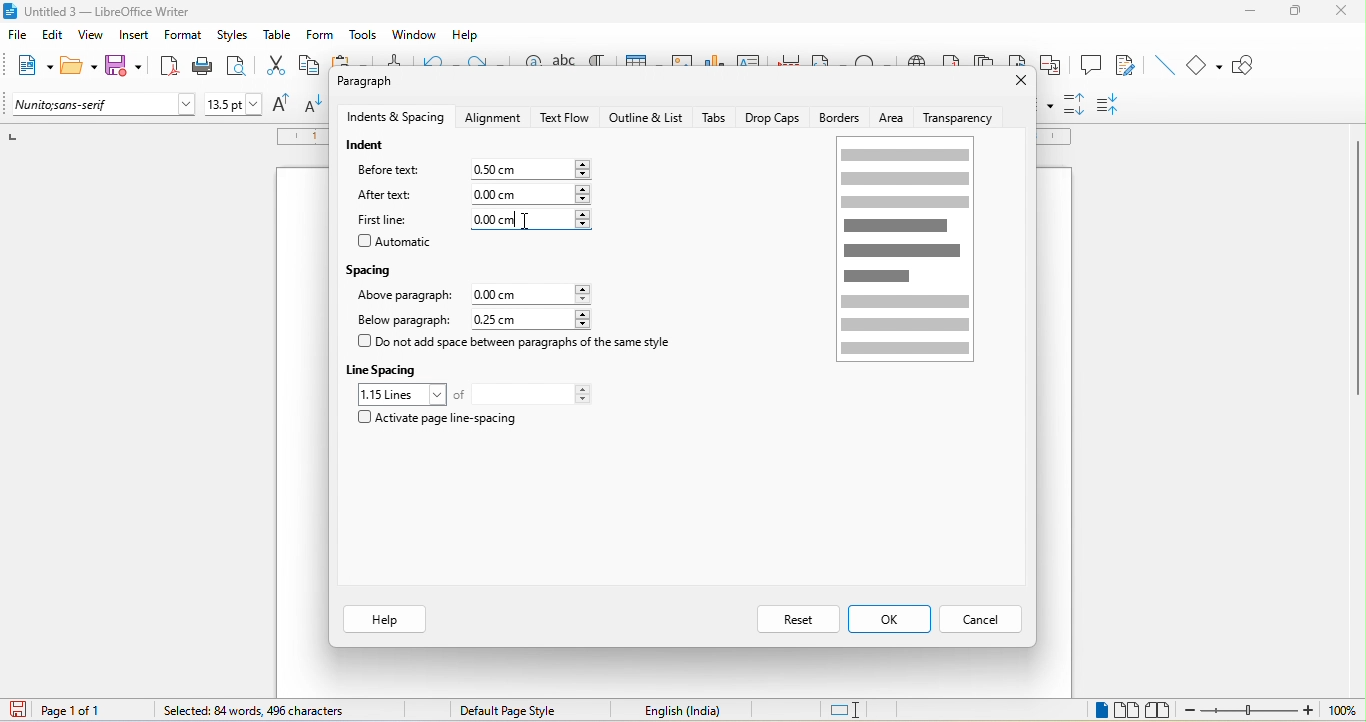 This screenshot has width=1366, height=722. Describe the element at coordinates (79, 67) in the screenshot. I see `open` at that location.